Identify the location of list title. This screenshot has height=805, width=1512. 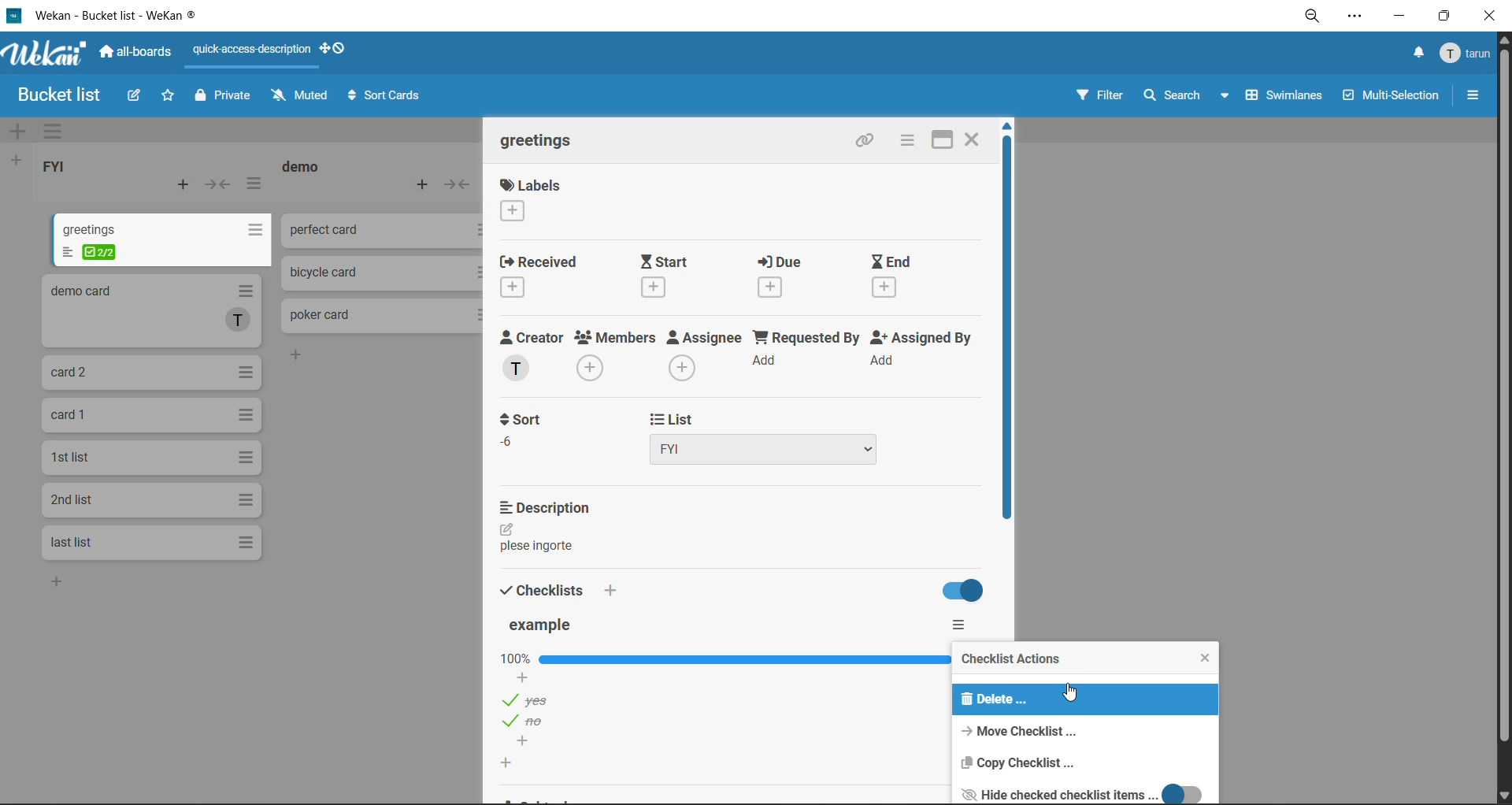
(61, 168).